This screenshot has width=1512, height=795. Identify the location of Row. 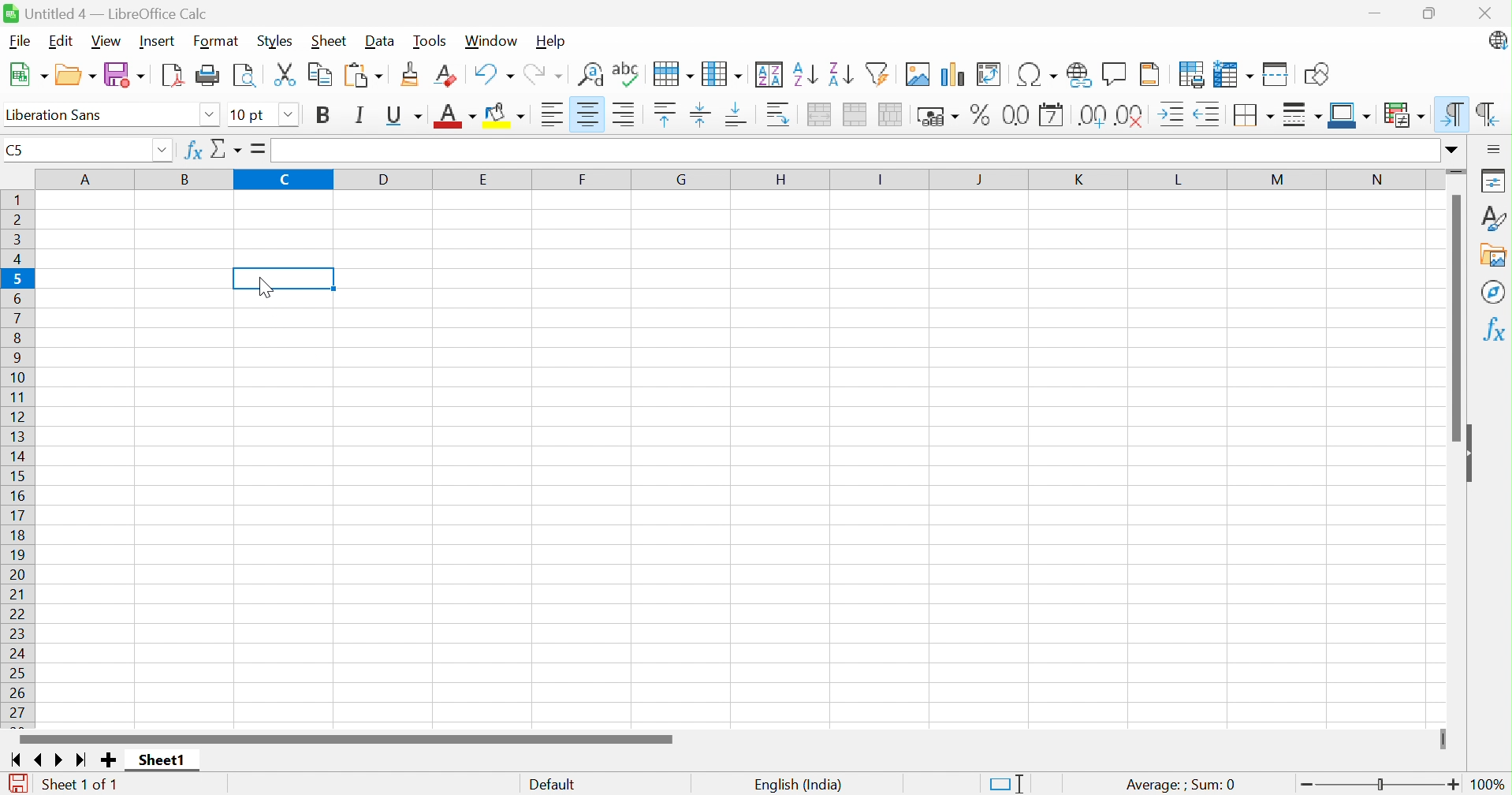
(672, 74).